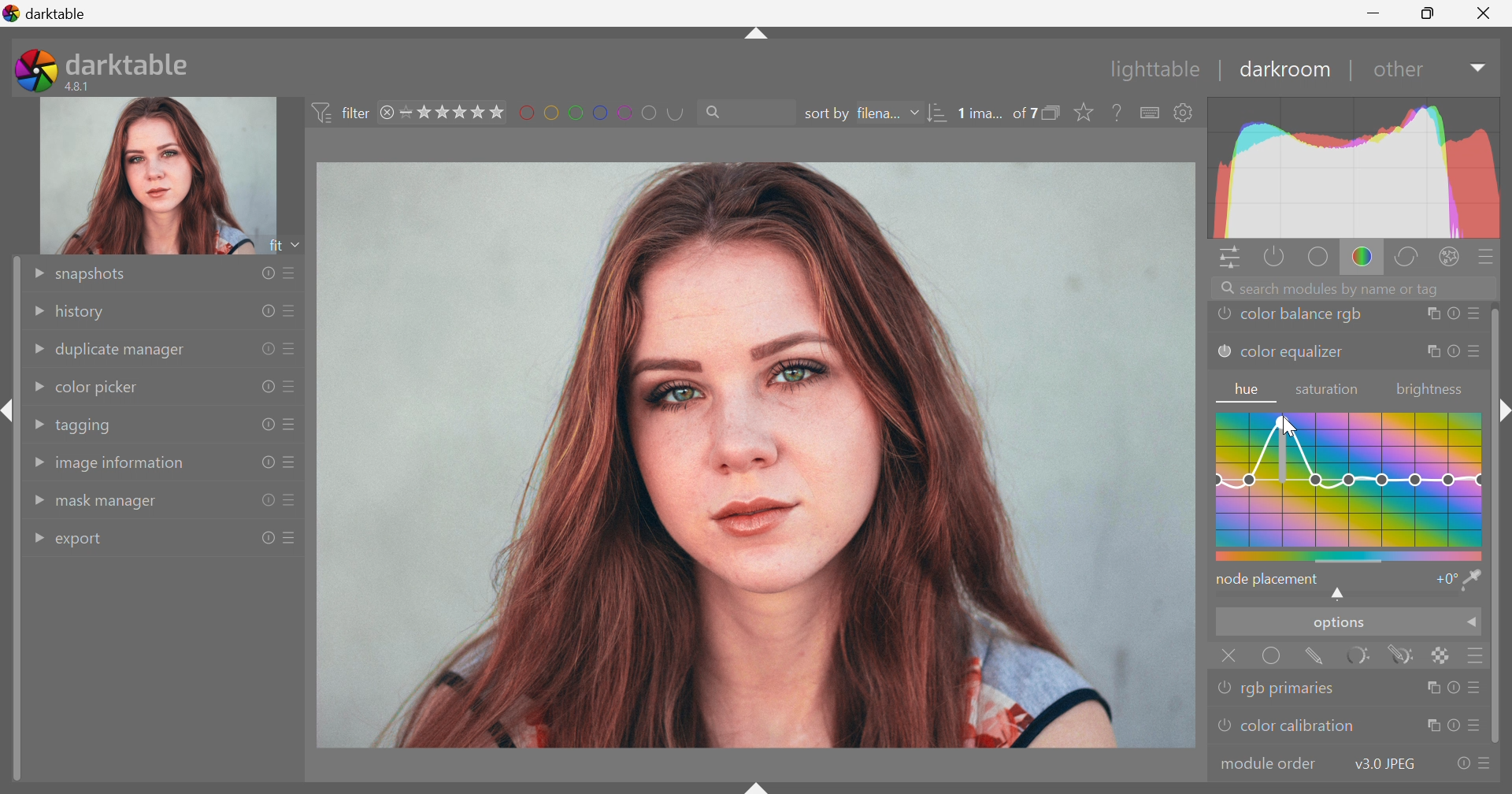  I want to click on Drop Down, so click(35, 424).